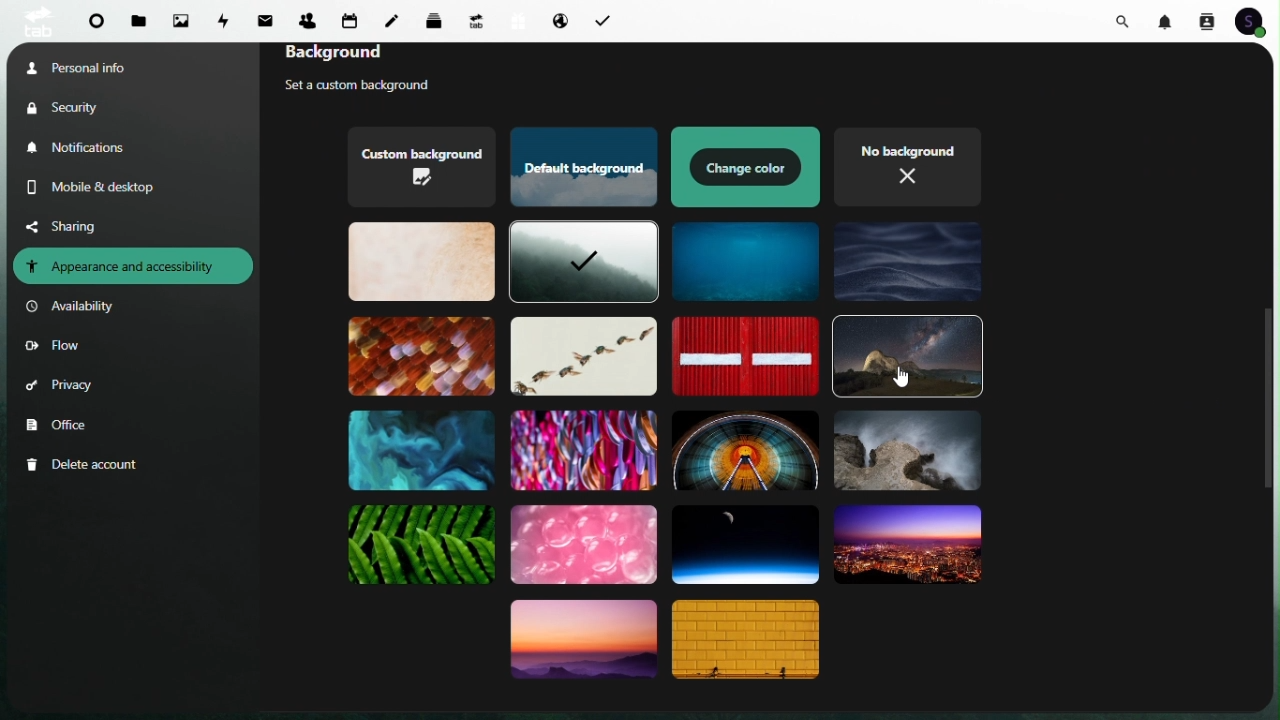  What do you see at coordinates (1126, 19) in the screenshot?
I see `Search` at bounding box center [1126, 19].